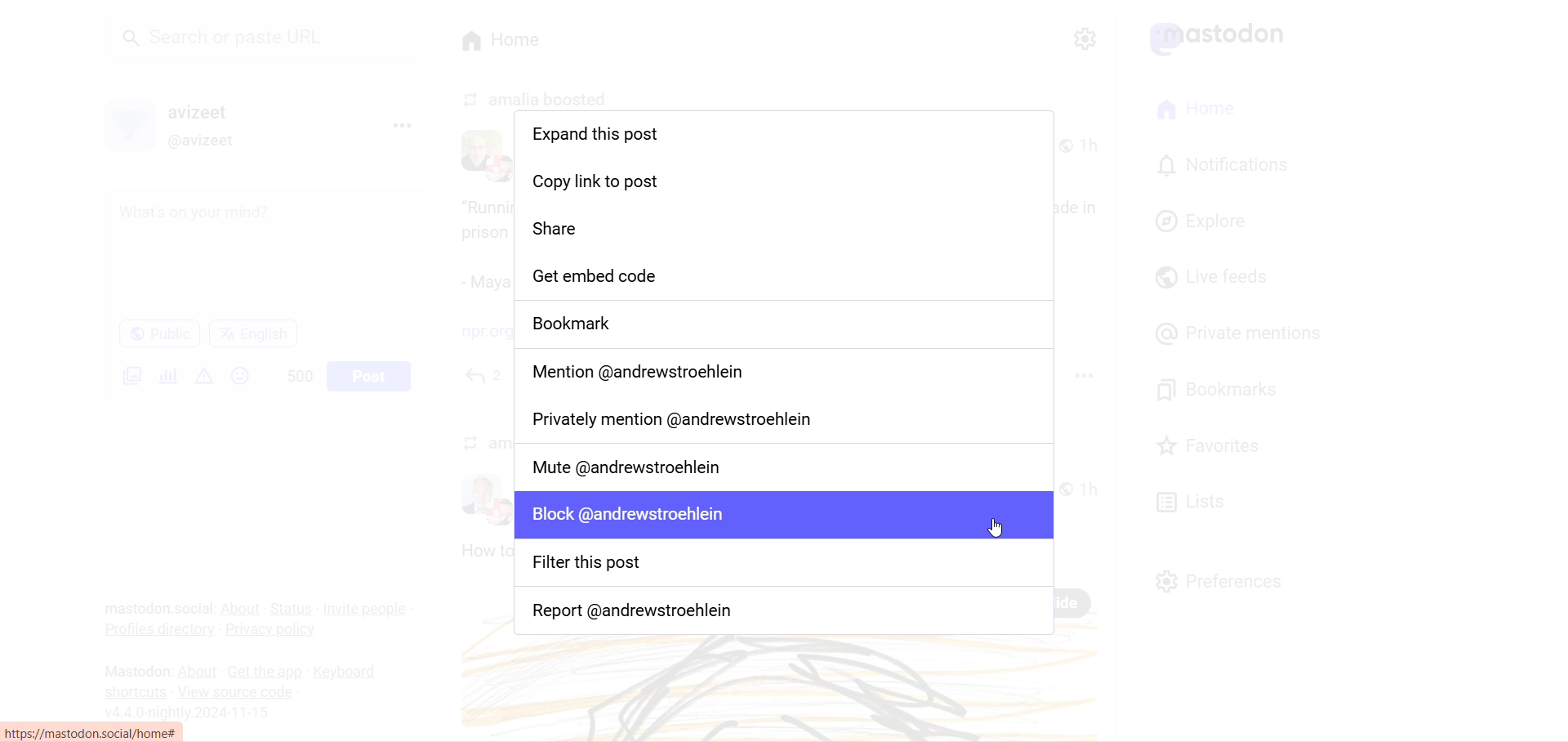 The image size is (1568, 742). Describe the element at coordinates (777, 227) in the screenshot. I see `Share` at that location.